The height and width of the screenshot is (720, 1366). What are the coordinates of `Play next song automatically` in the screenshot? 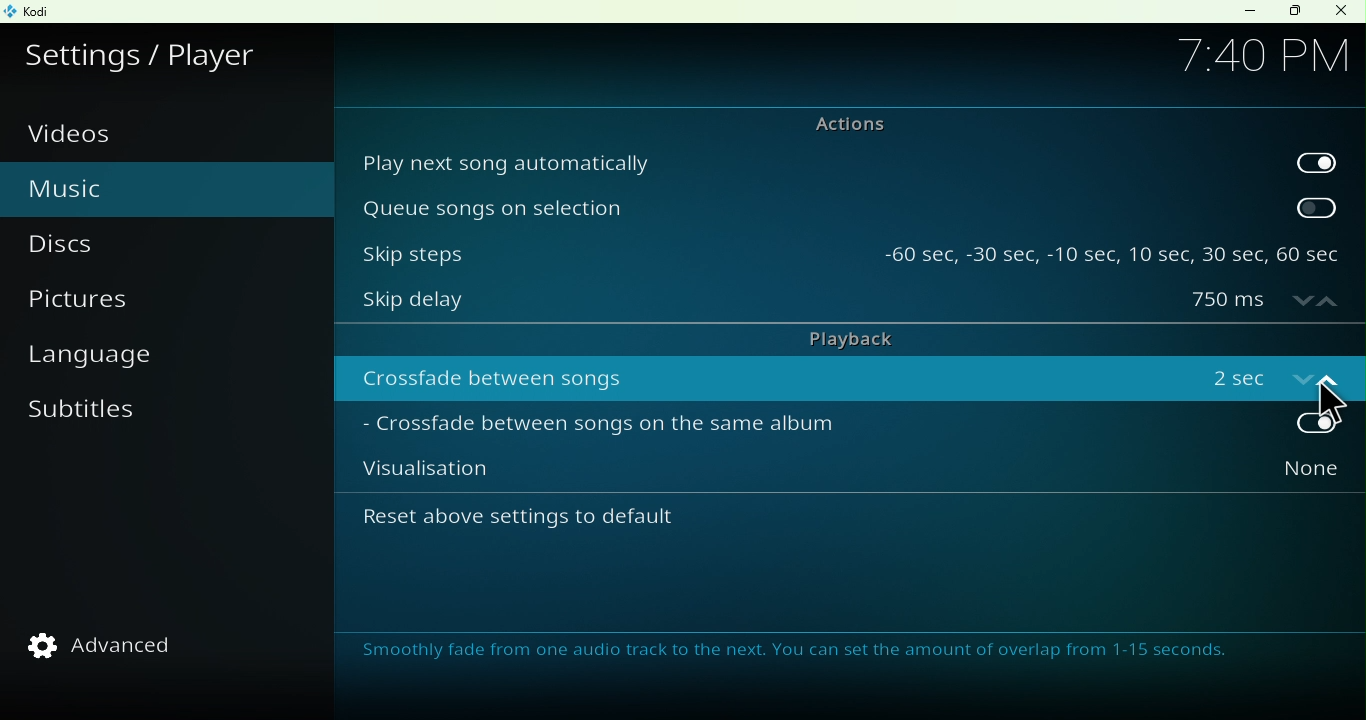 It's located at (811, 161).